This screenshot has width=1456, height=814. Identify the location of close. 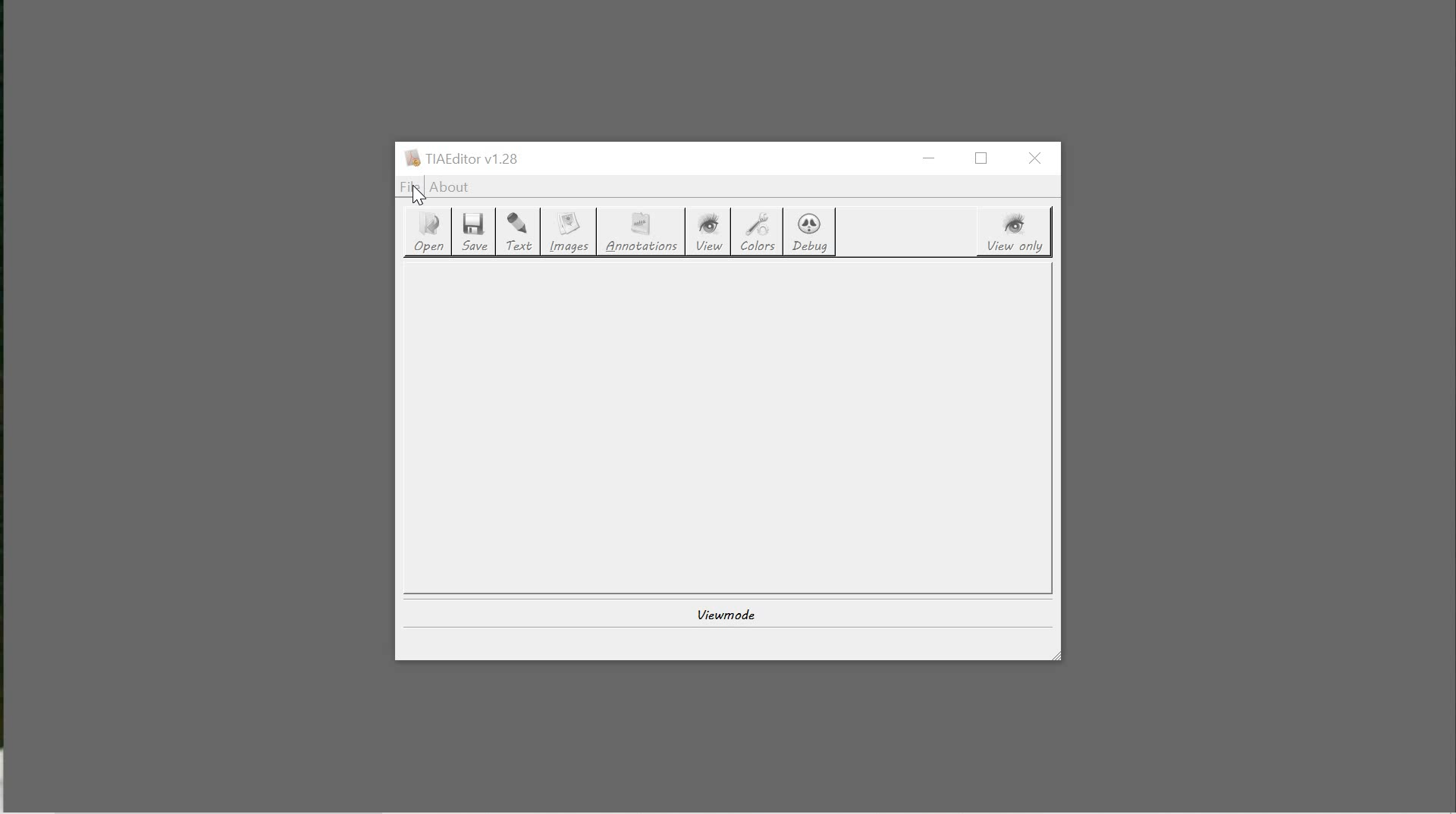
(1037, 158).